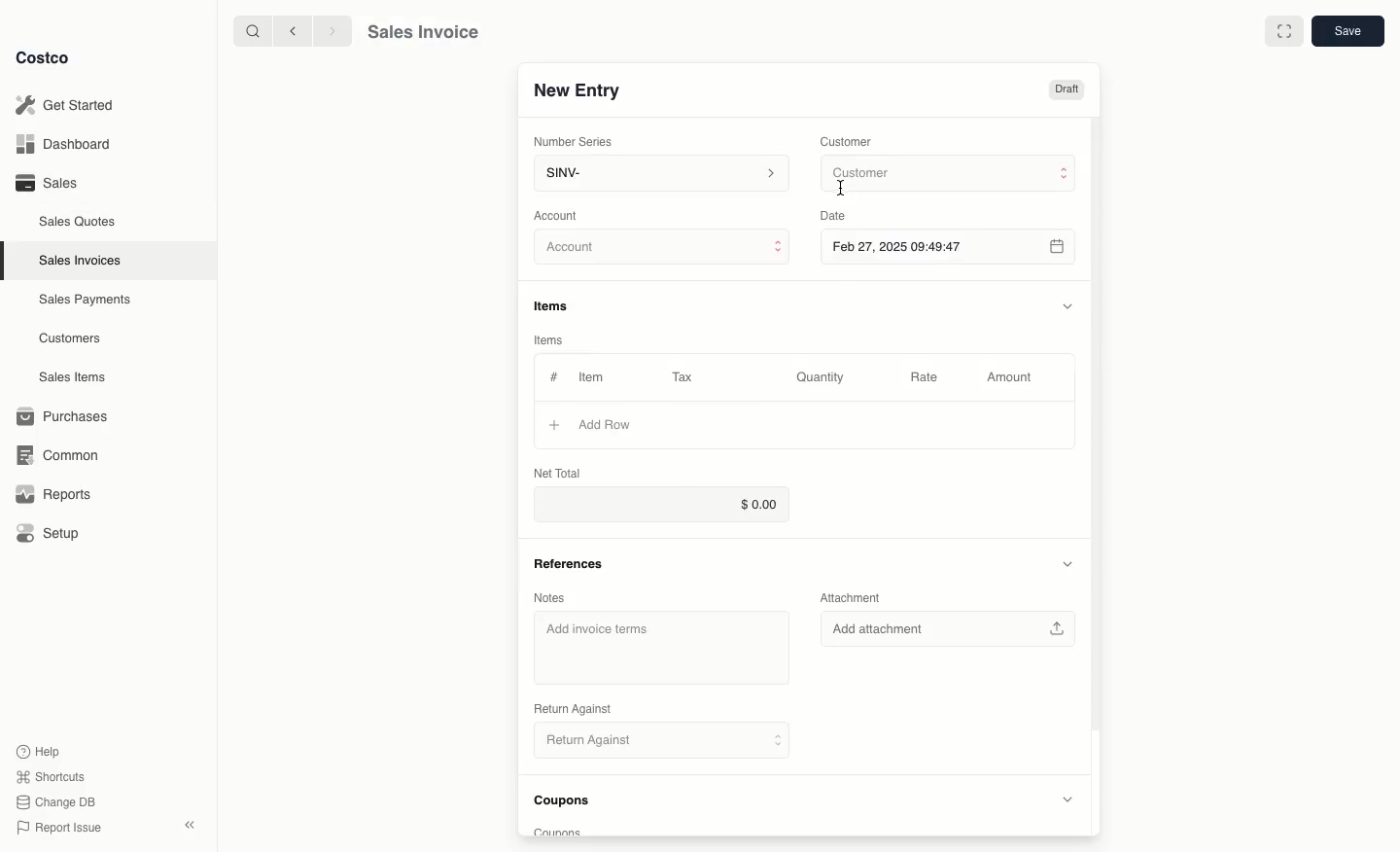  Describe the element at coordinates (558, 307) in the screenshot. I see `Items` at that location.